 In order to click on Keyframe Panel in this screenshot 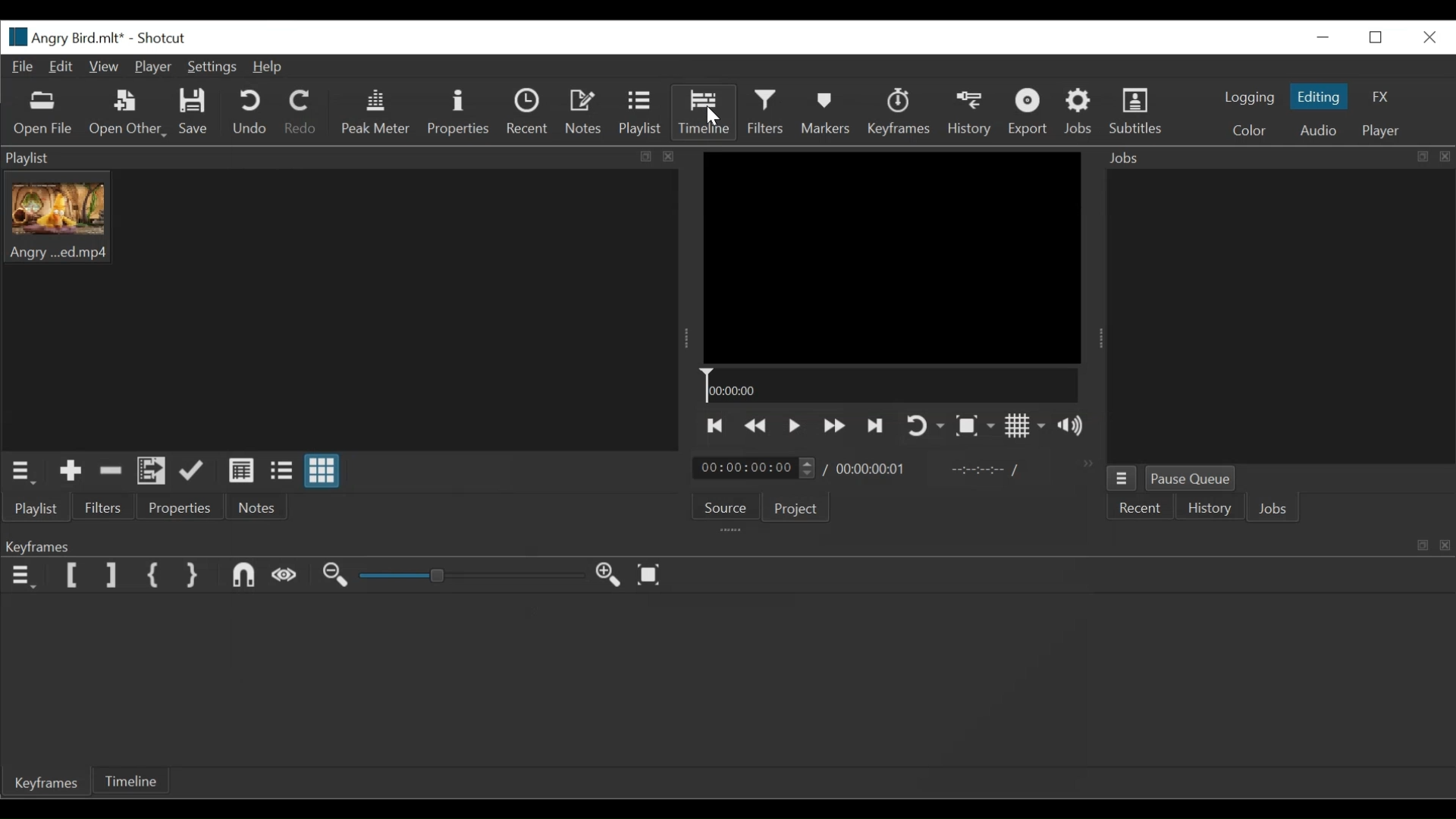, I will do `click(730, 546)`.